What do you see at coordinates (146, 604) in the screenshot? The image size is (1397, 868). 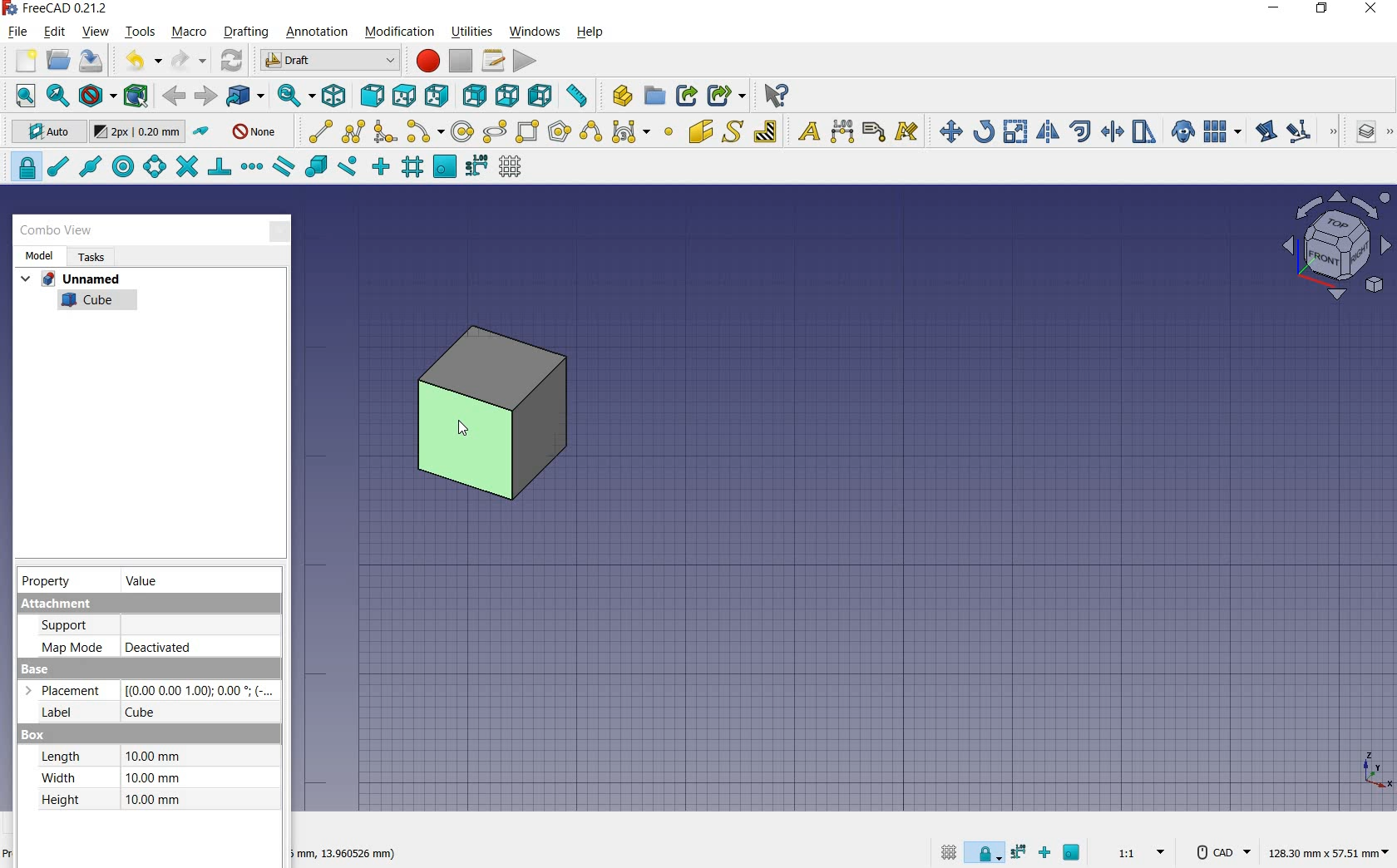 I see `Attachment` at bounding box center [146, 604].